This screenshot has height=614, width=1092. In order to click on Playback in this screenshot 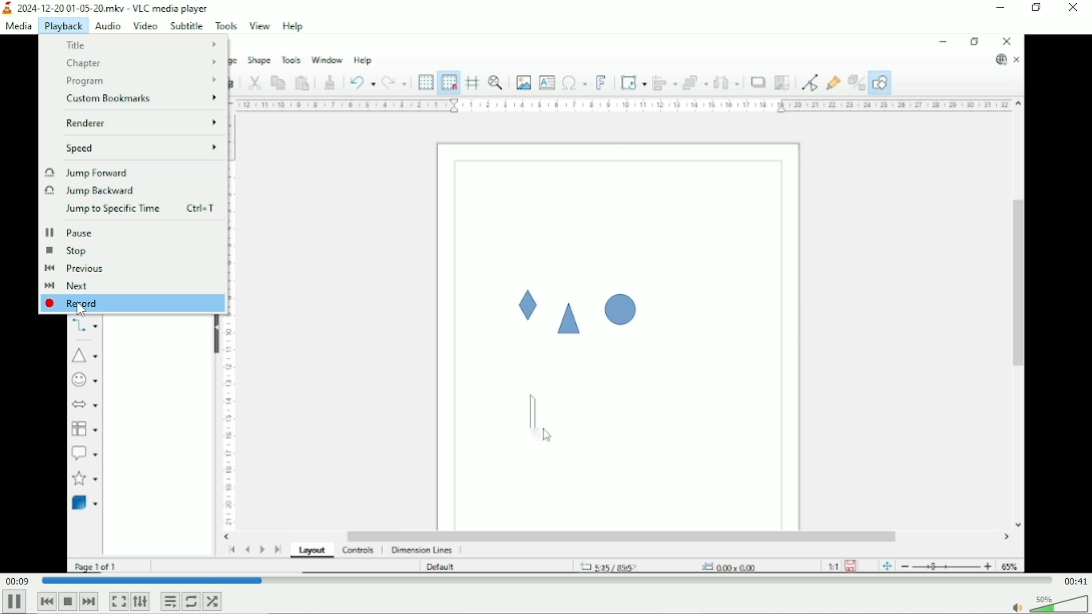, I will do `click(62, 26)`.